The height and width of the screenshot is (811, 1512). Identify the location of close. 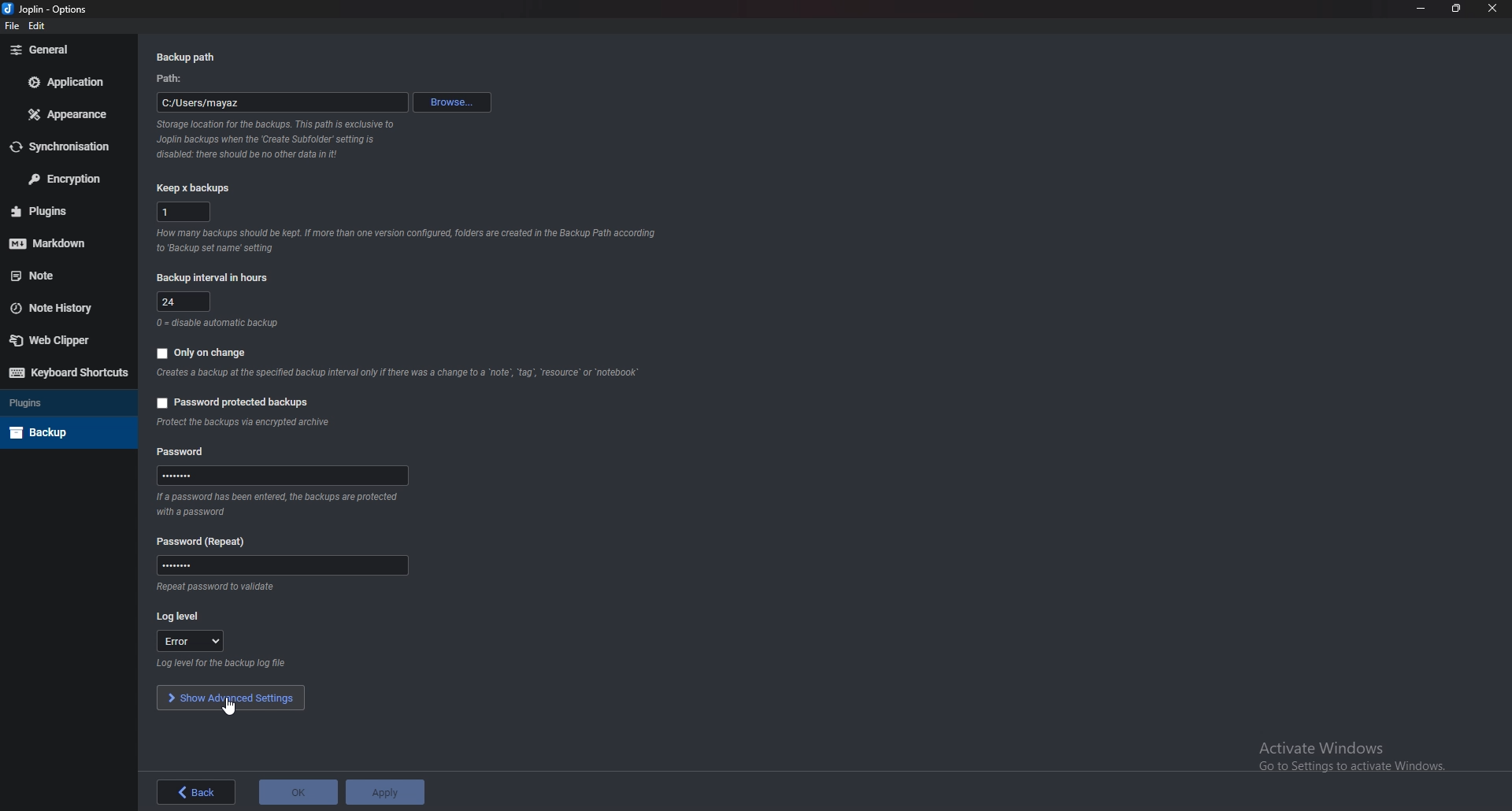
(1490, 12).